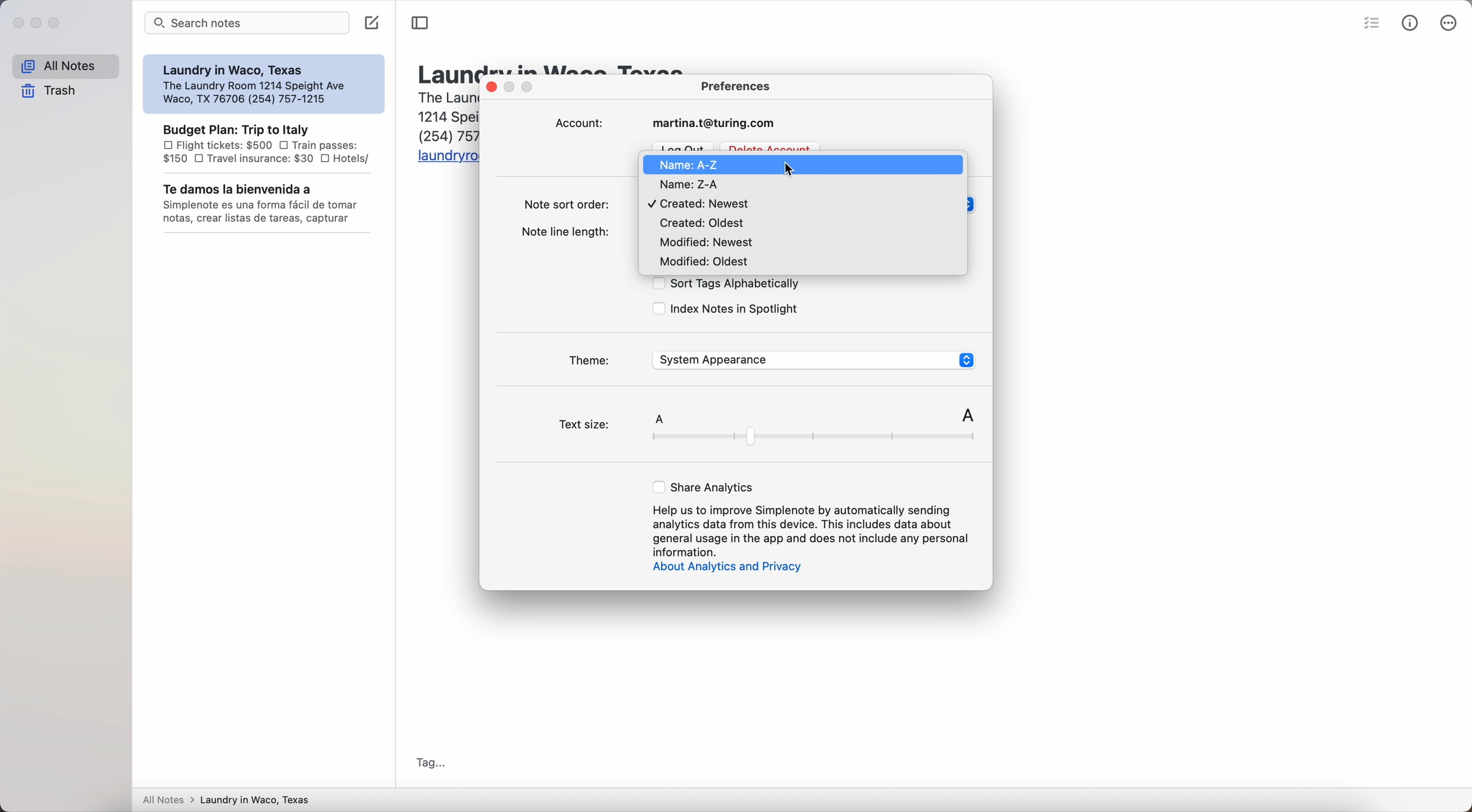 The width and height of the screenshot is (1472, 812). I want to click on minimize Simplenote, so click(38, 23).